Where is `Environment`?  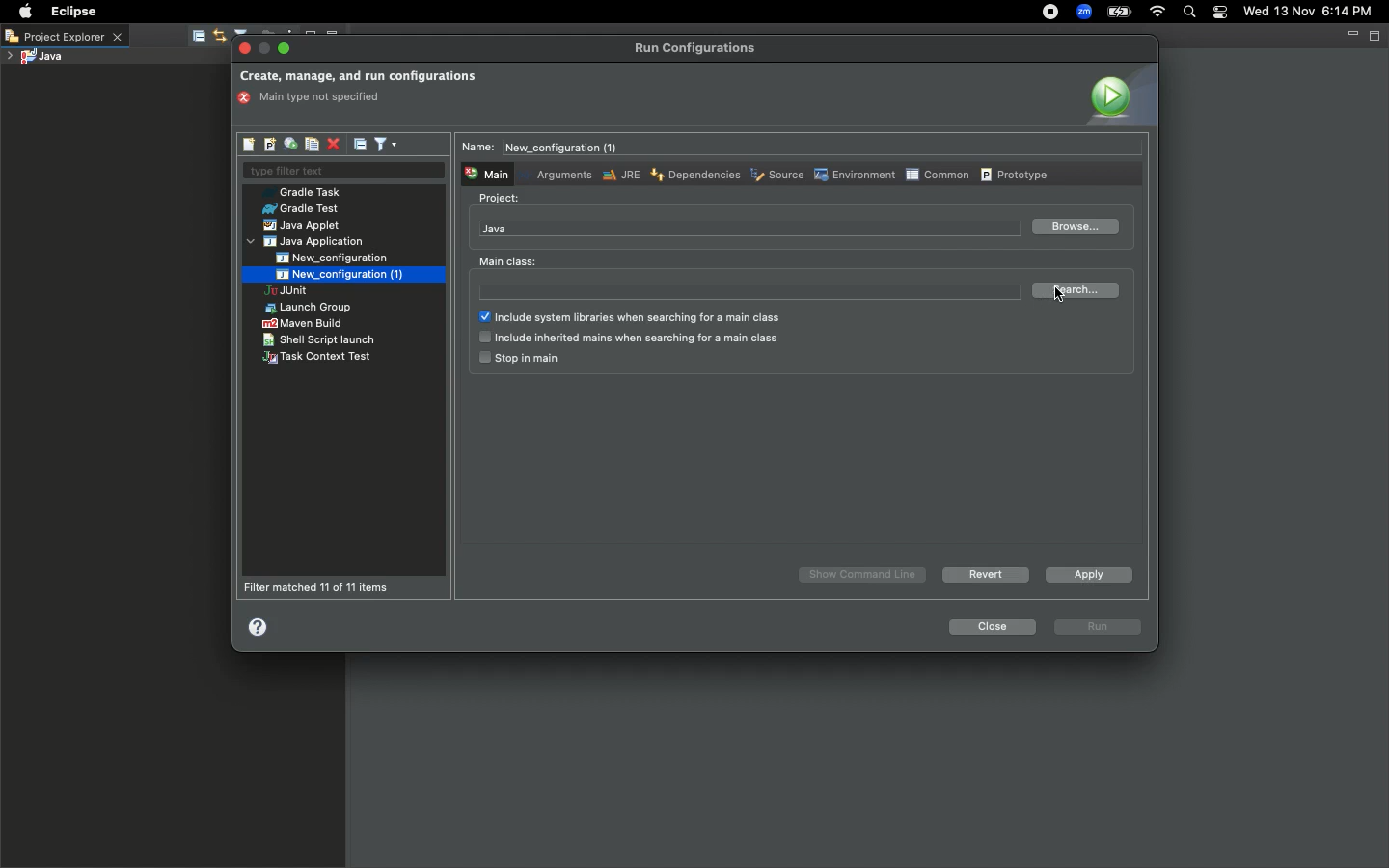 Environment is located at coordinates (853, 175).